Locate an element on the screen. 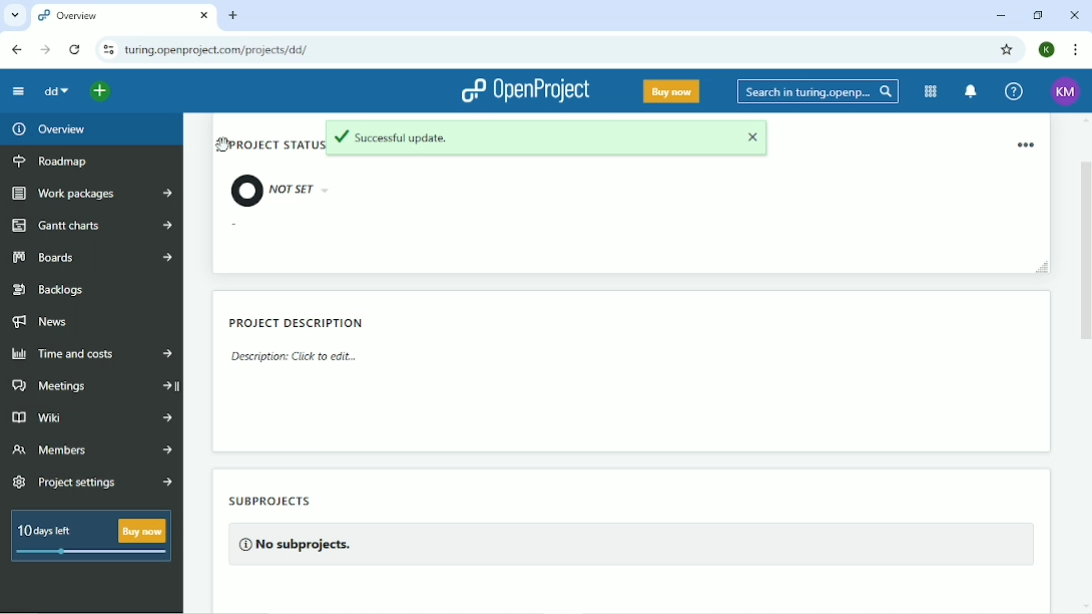  To notification center is located at coordinates (970, 91).